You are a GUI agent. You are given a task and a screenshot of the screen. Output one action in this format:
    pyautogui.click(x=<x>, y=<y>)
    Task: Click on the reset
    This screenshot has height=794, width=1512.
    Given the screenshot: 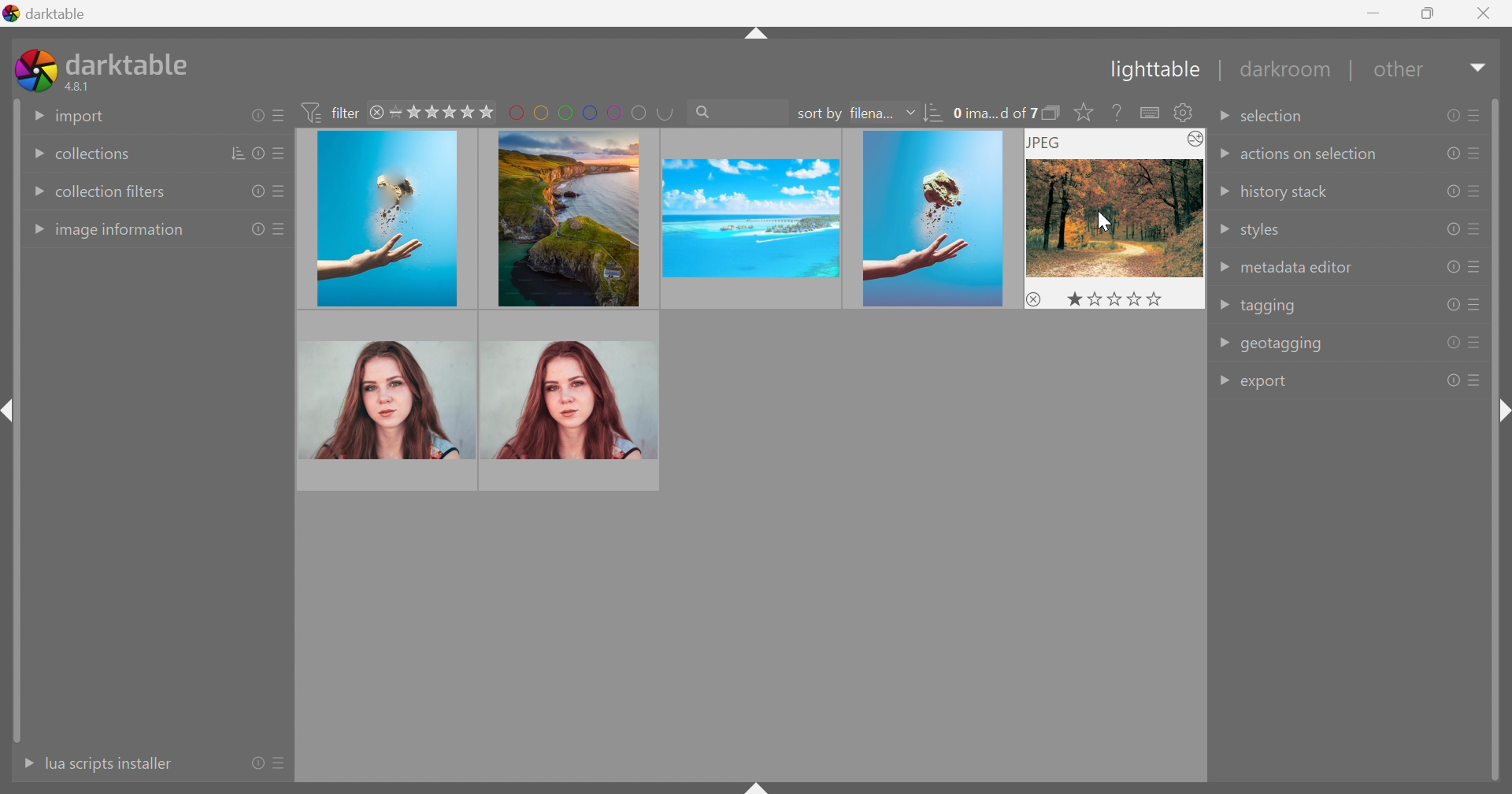 What is the action you would take?
    pyautogui.click(x=261, y=153)
    